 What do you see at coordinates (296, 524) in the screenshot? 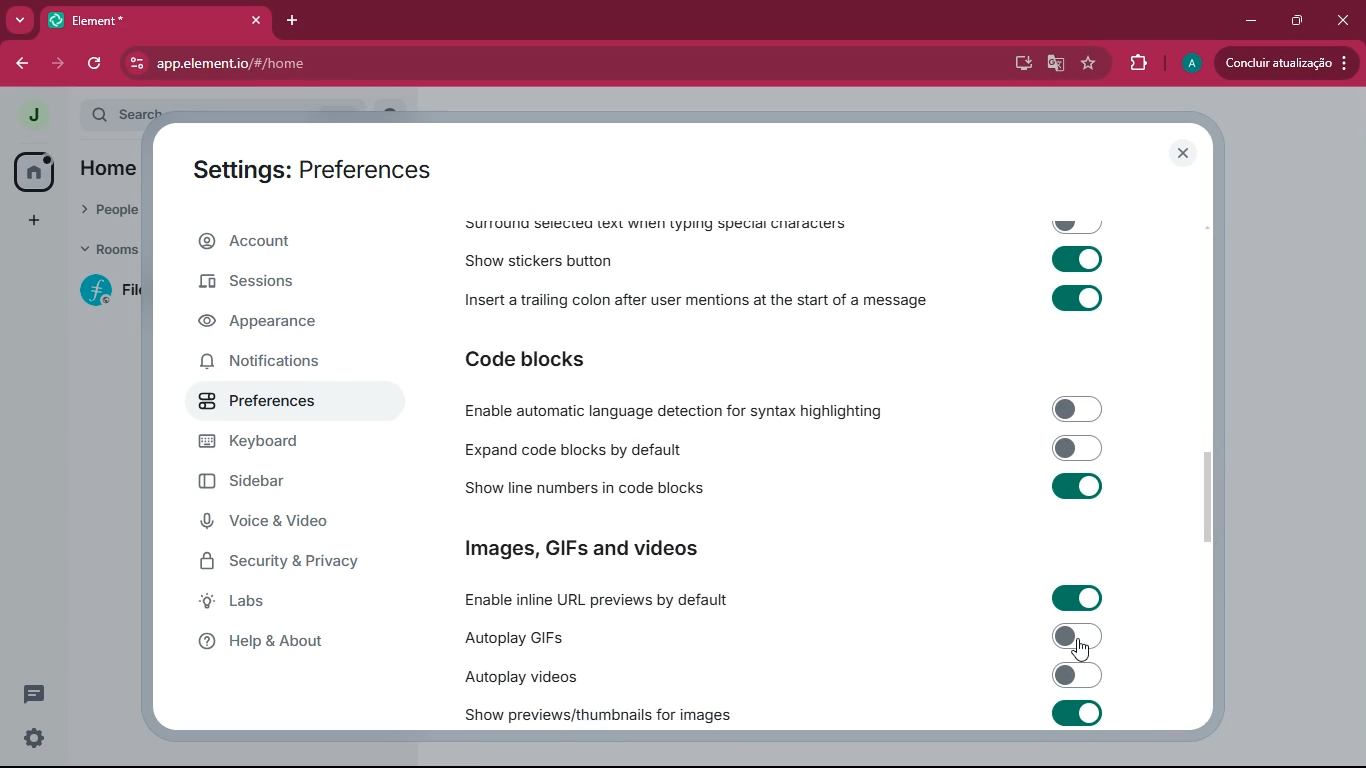
I see `voice & video` at bounding box center [296, 524].